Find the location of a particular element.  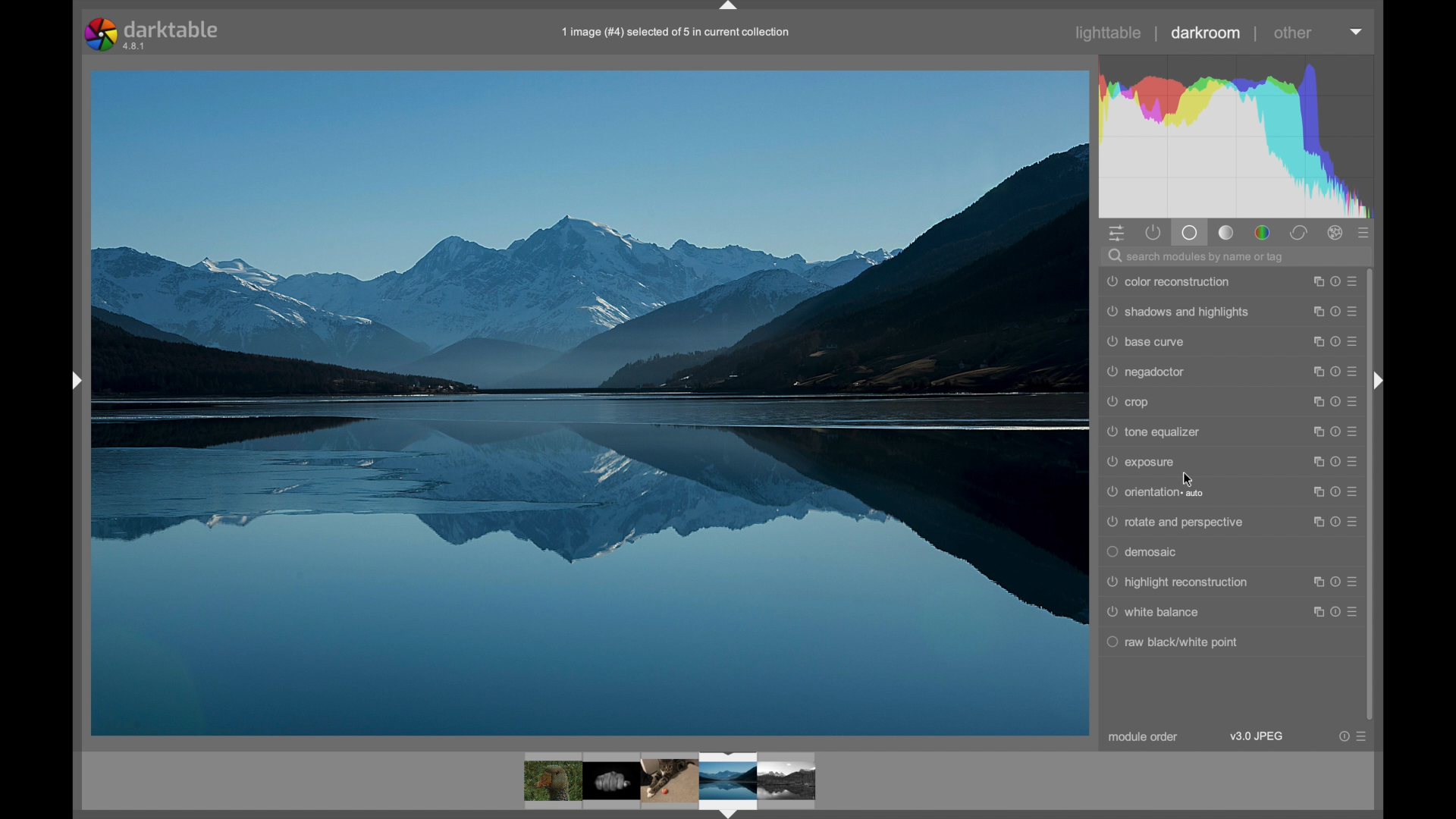

cursor is located at coordinates (1191, 479).